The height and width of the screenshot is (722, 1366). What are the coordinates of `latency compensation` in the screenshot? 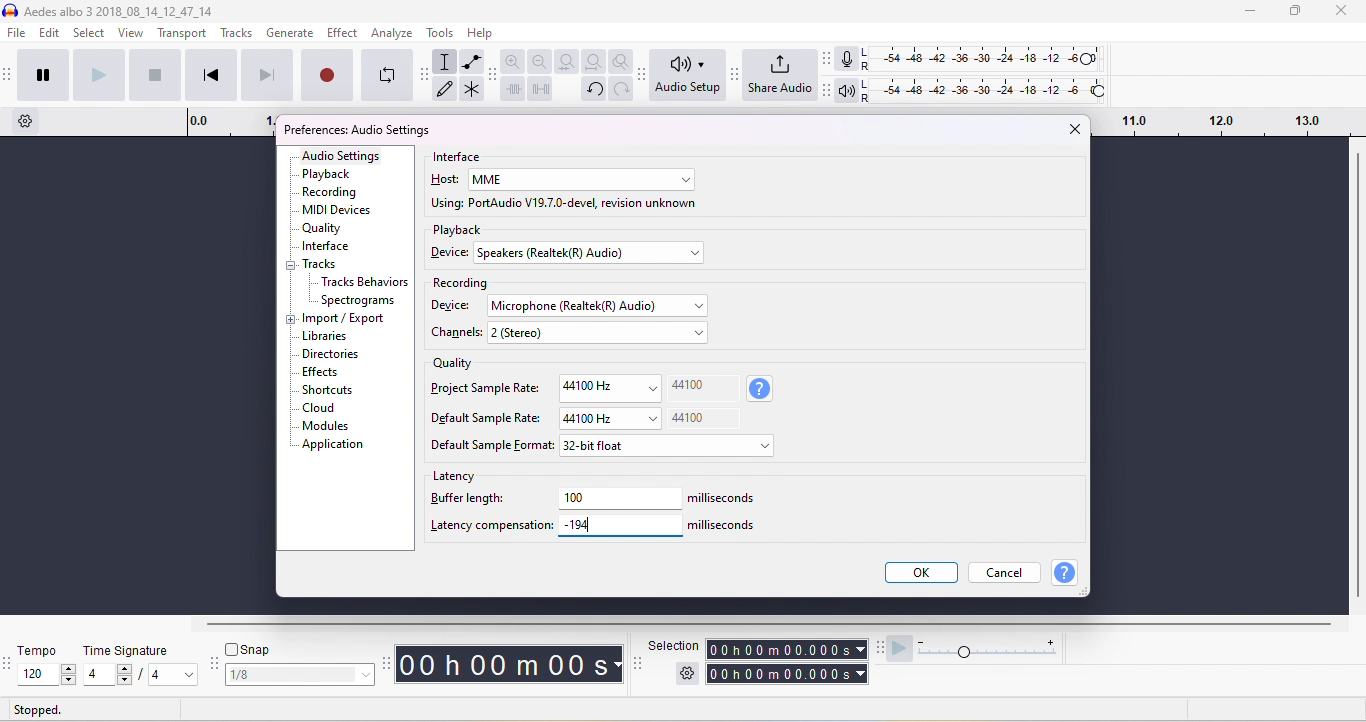 It's located at (491, 525).